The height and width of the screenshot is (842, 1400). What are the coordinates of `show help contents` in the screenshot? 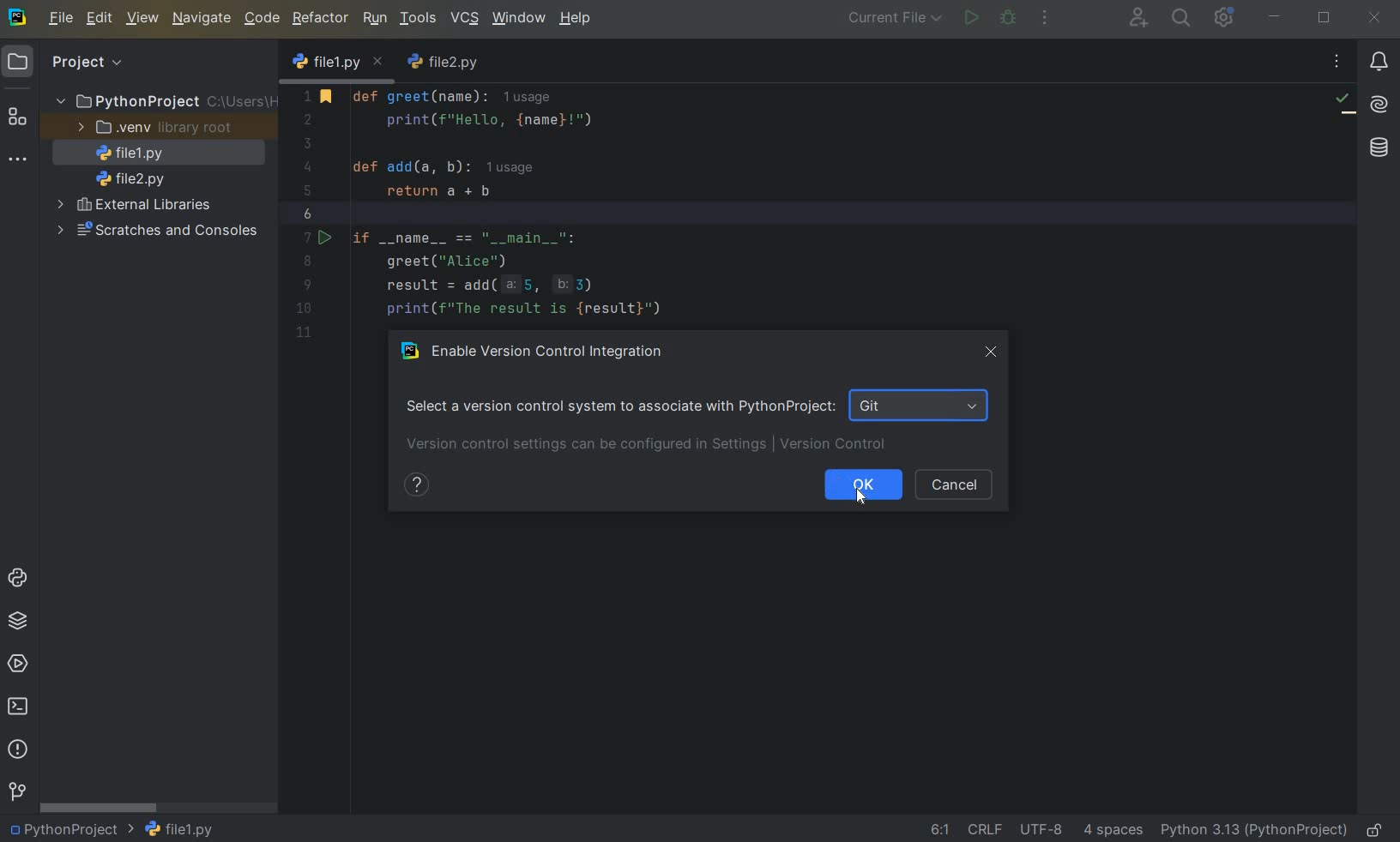 It's located at (414, 484).